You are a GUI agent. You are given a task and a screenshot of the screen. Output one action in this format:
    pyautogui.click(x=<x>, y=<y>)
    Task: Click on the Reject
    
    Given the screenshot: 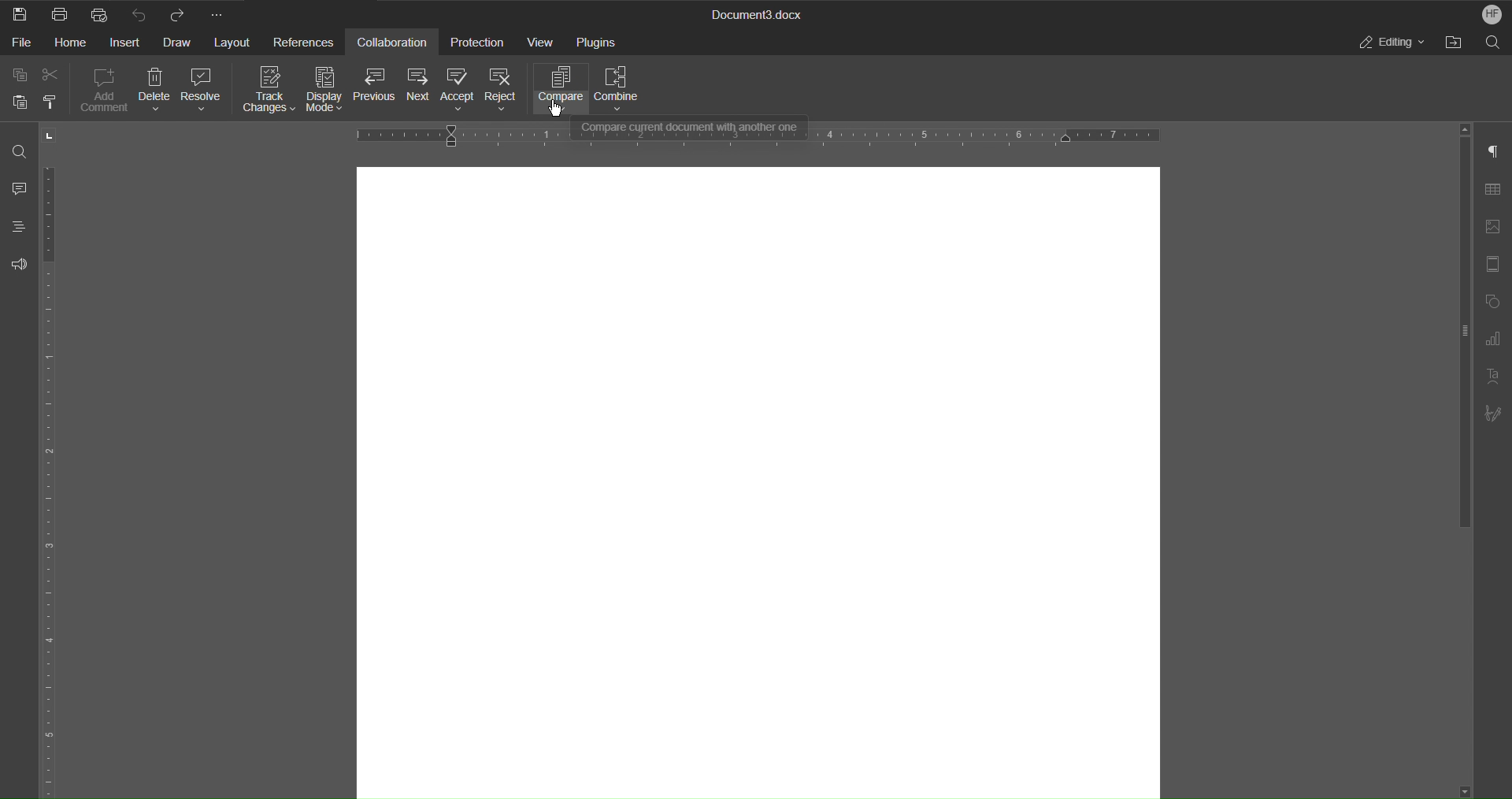 What is the action you would take?
    pyautogui.click(x=502, y=88)
    